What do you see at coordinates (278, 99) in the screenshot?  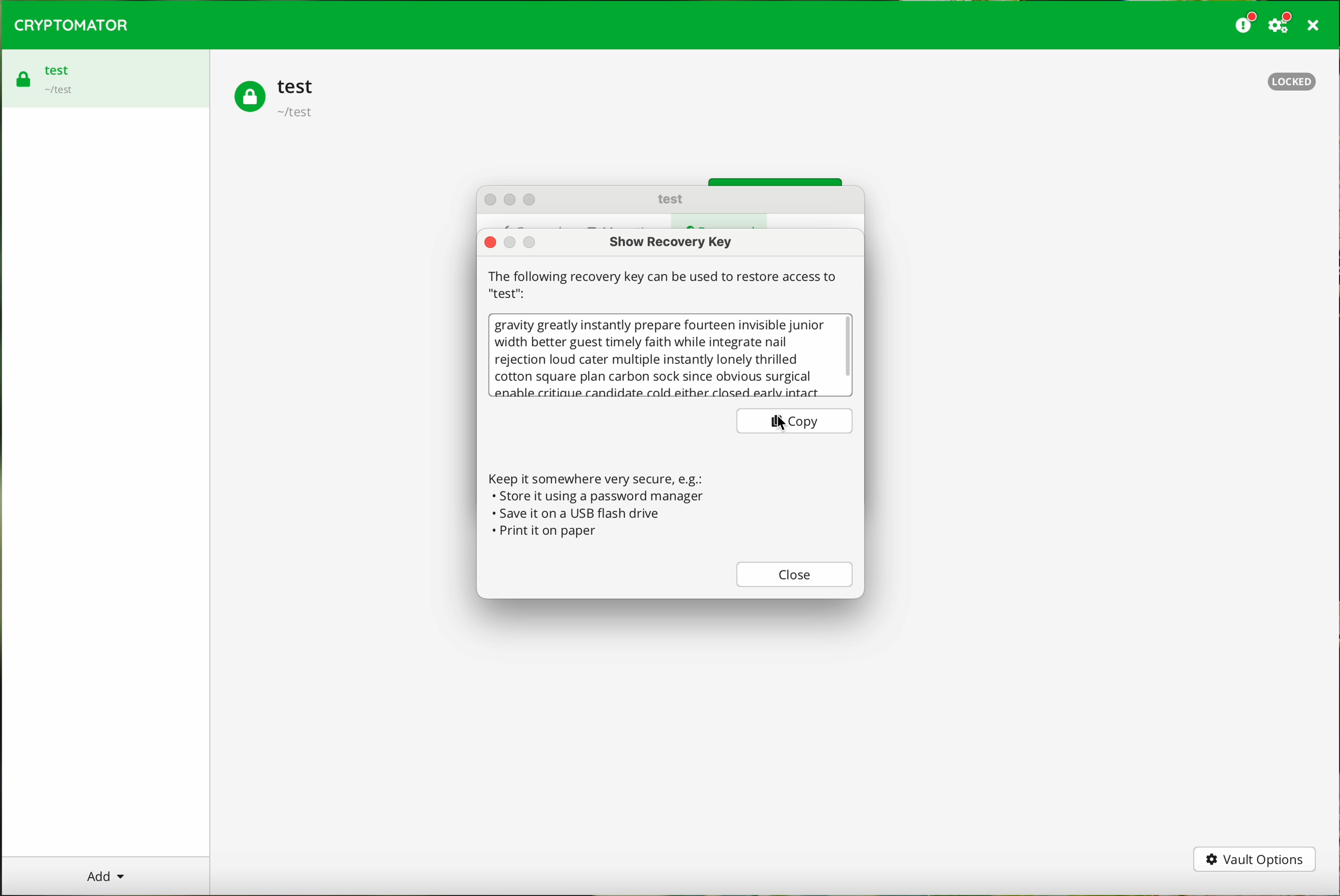 I see `test vault` at bounding box center [278, 99].